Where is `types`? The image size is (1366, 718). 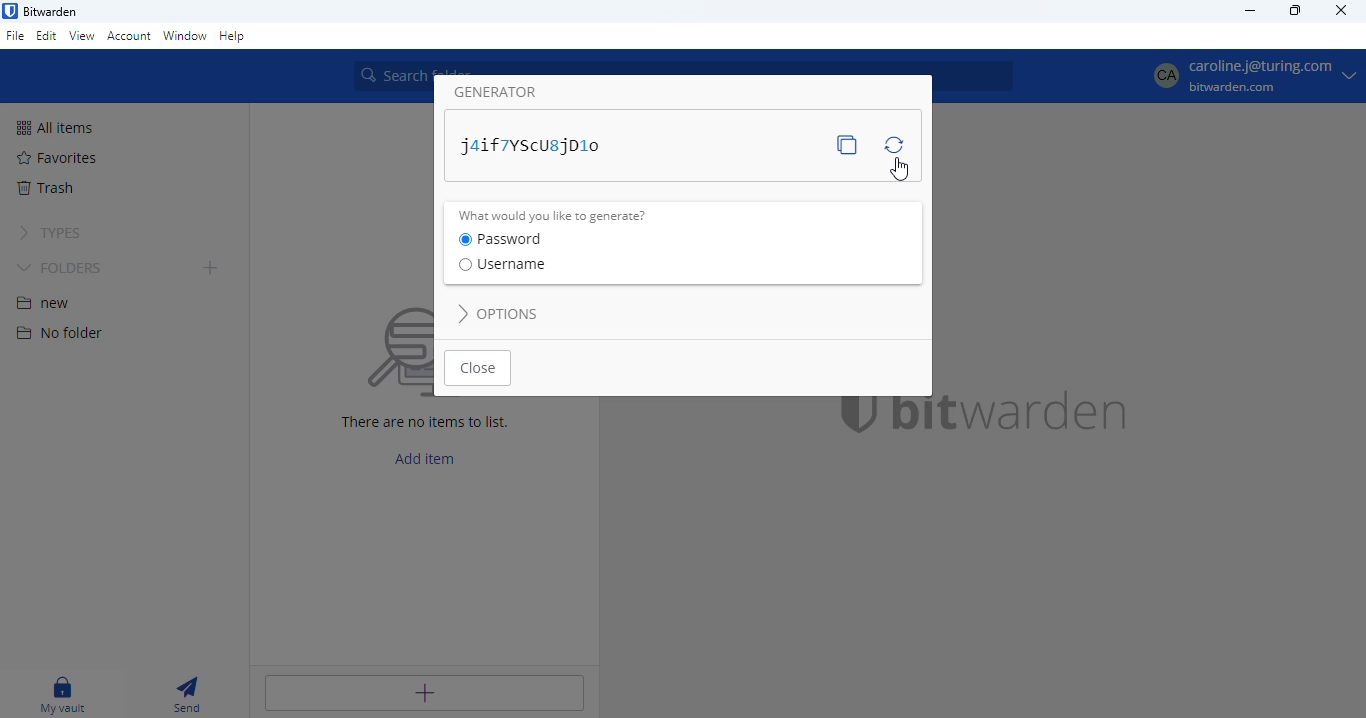
types is located at coordinates (49, 233).